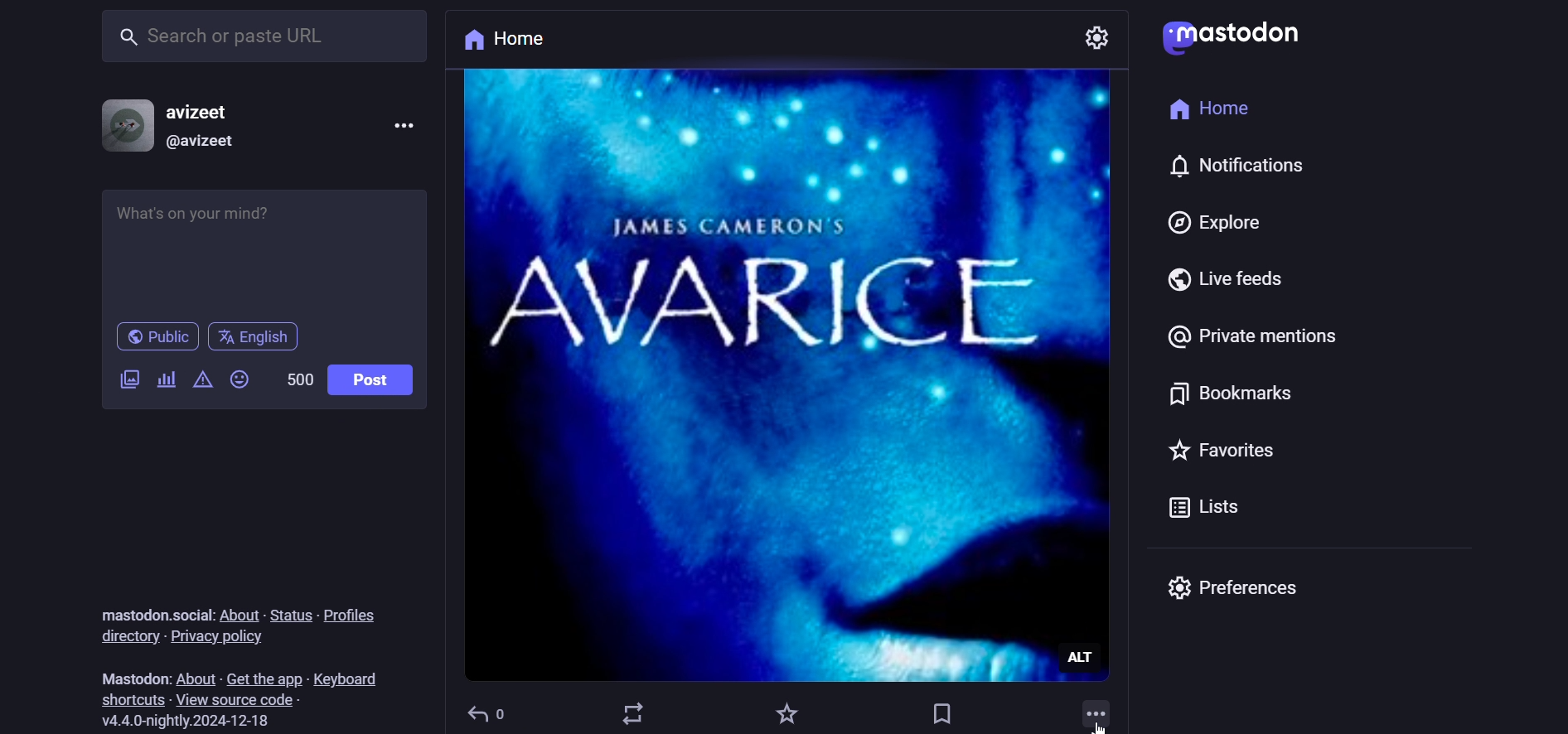  I want to click on version, so click(181, 722).